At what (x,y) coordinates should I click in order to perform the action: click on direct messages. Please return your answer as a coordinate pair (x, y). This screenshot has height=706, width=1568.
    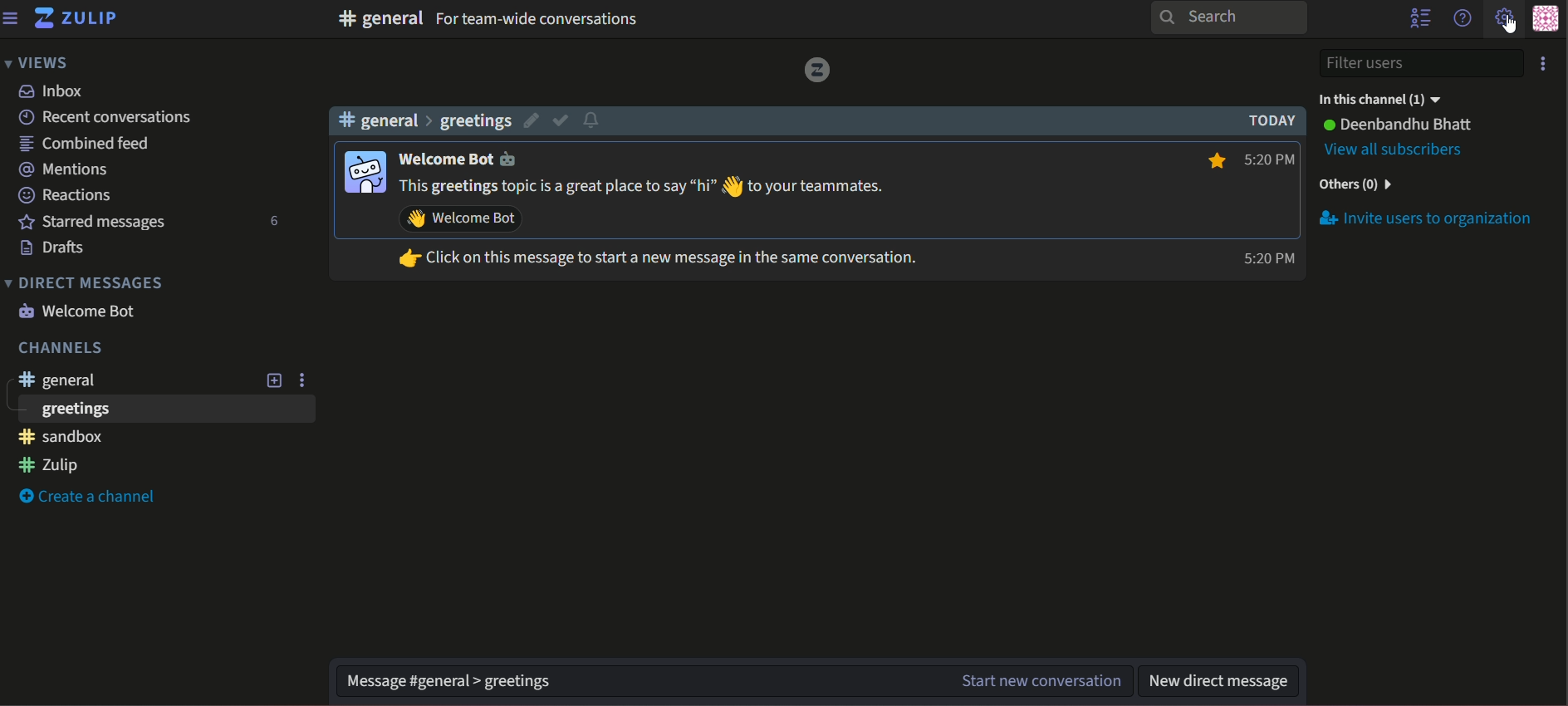
    Looking at the image, I should click on (85, 283).